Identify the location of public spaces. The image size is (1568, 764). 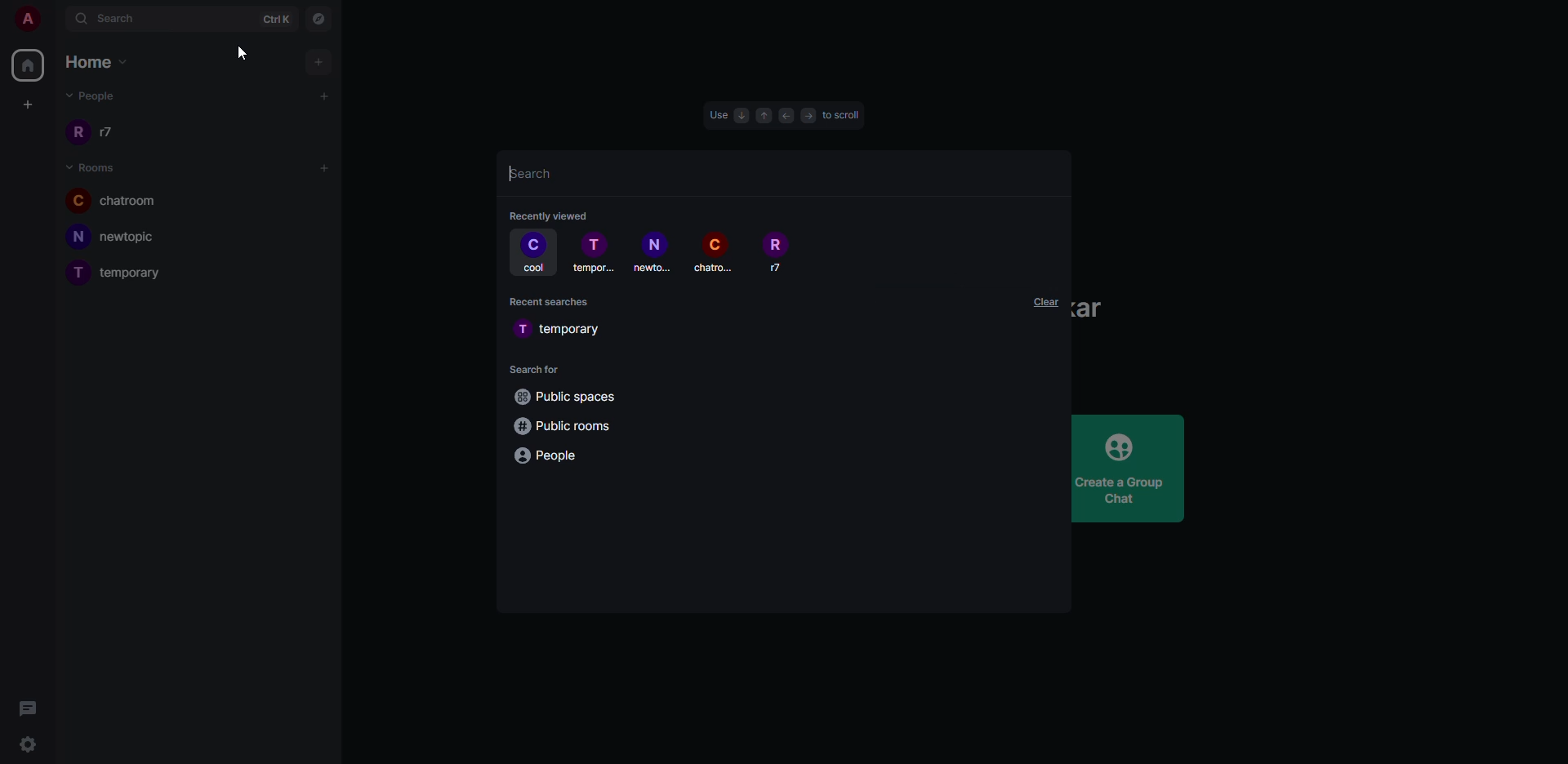
(569, 397).